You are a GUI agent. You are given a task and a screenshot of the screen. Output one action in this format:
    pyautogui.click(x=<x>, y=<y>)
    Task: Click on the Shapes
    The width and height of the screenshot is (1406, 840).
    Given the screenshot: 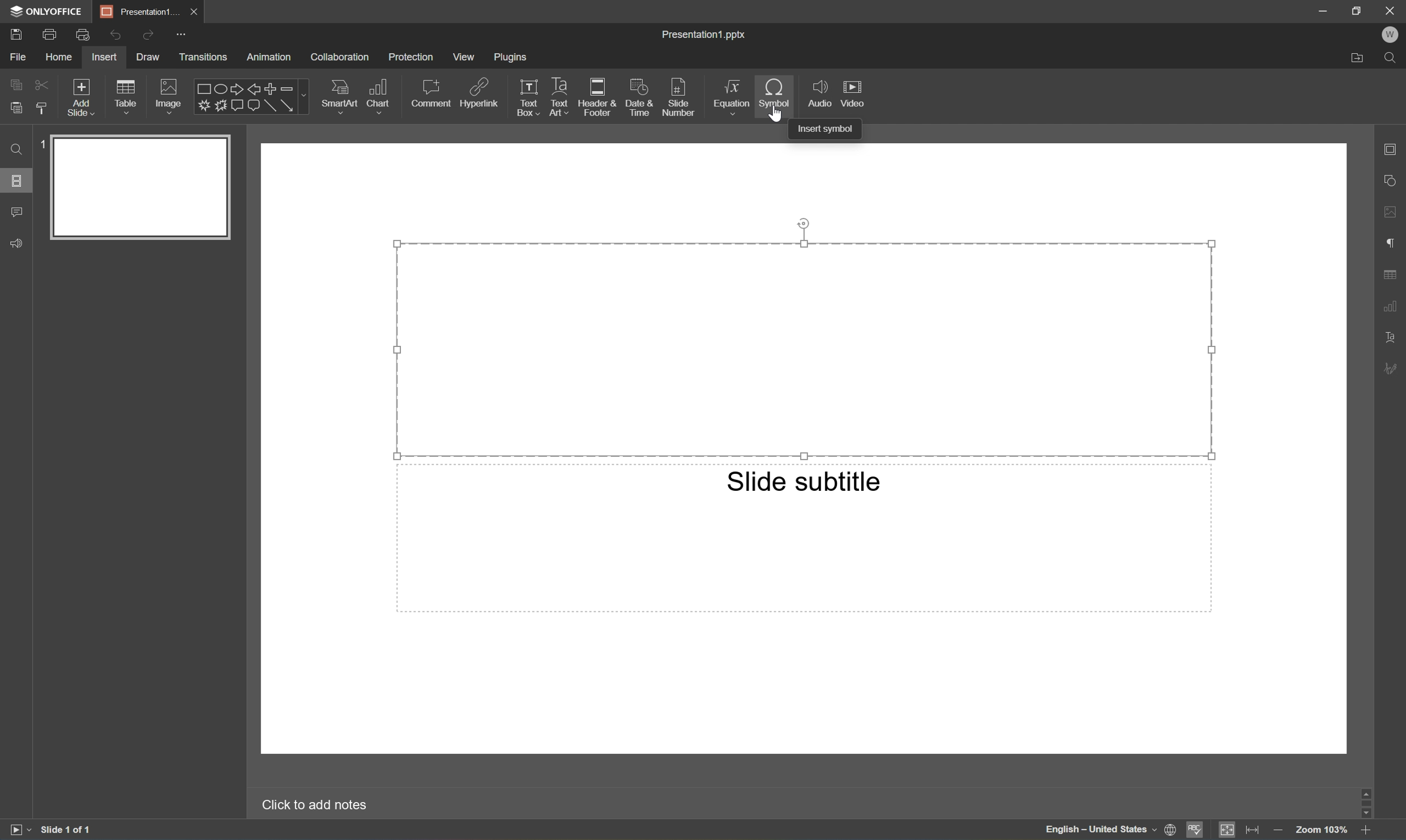 What is the action you would take?
    pyautogui.click(x=253, y=96)
    